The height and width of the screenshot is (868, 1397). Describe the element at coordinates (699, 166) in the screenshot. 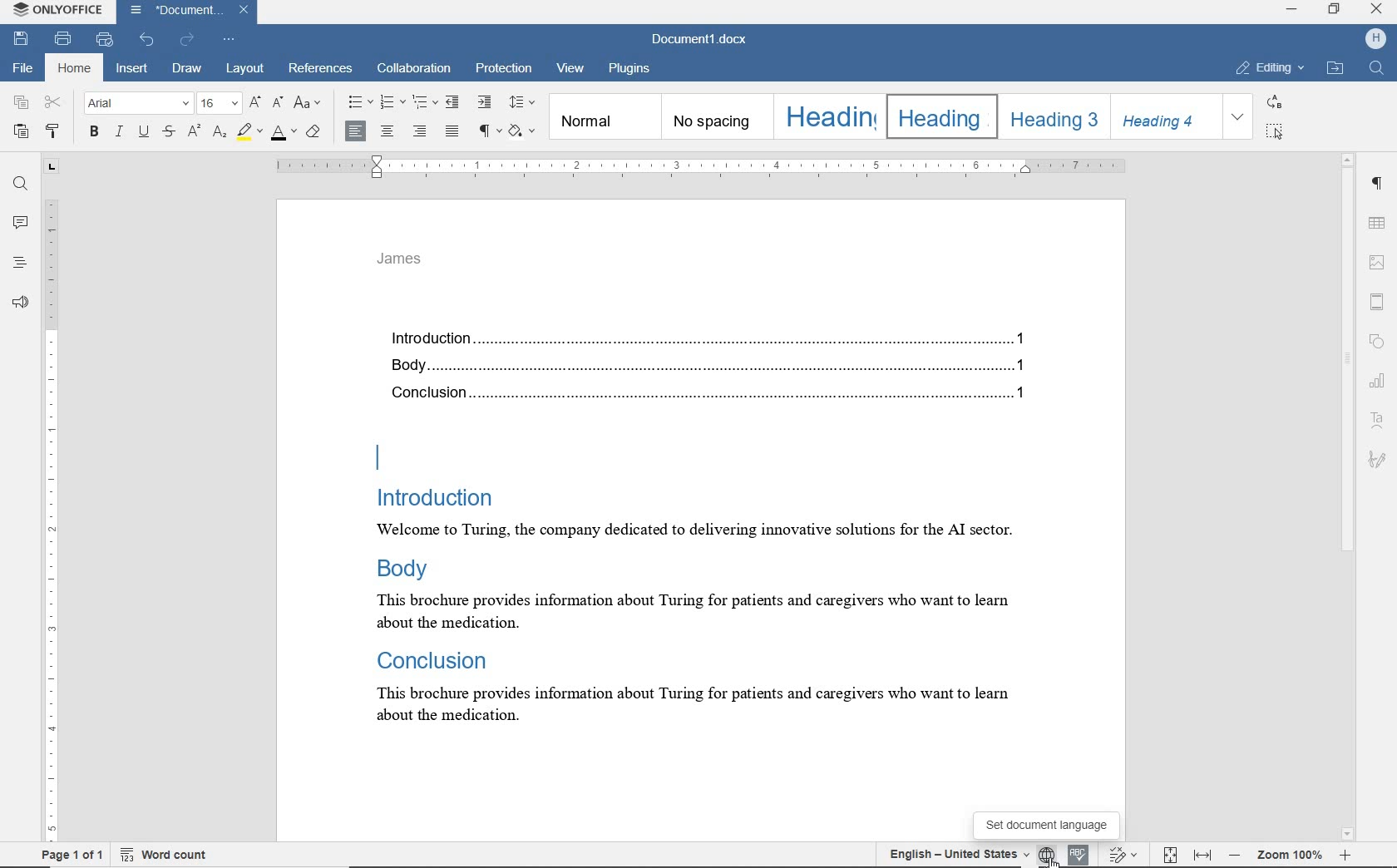

I see `ruler` at that location.